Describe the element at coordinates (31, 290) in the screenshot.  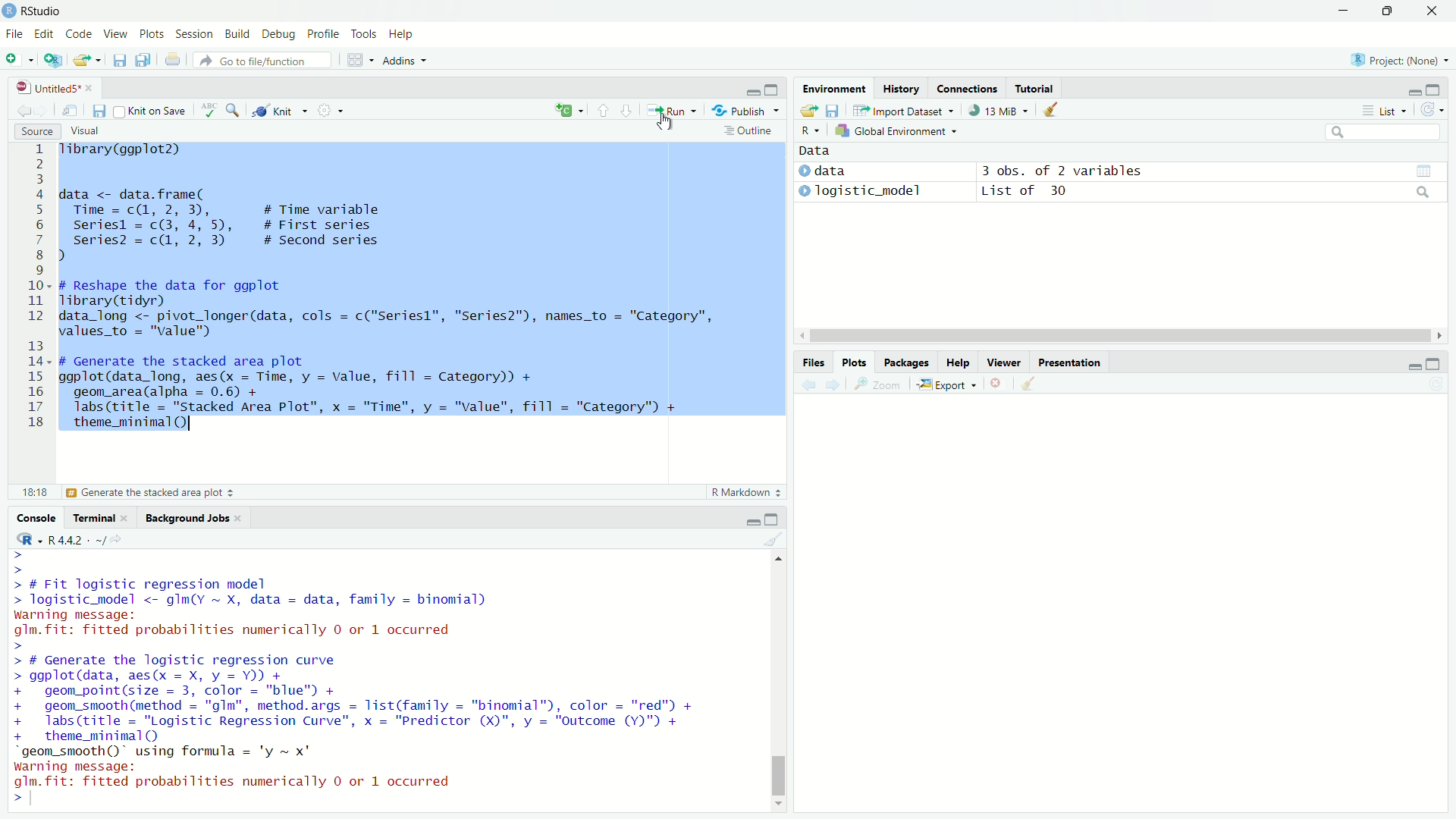
I see `1
2
3
4
5
6
7
8
9
10
11
12
13
14
15
16
17
18` at that location.